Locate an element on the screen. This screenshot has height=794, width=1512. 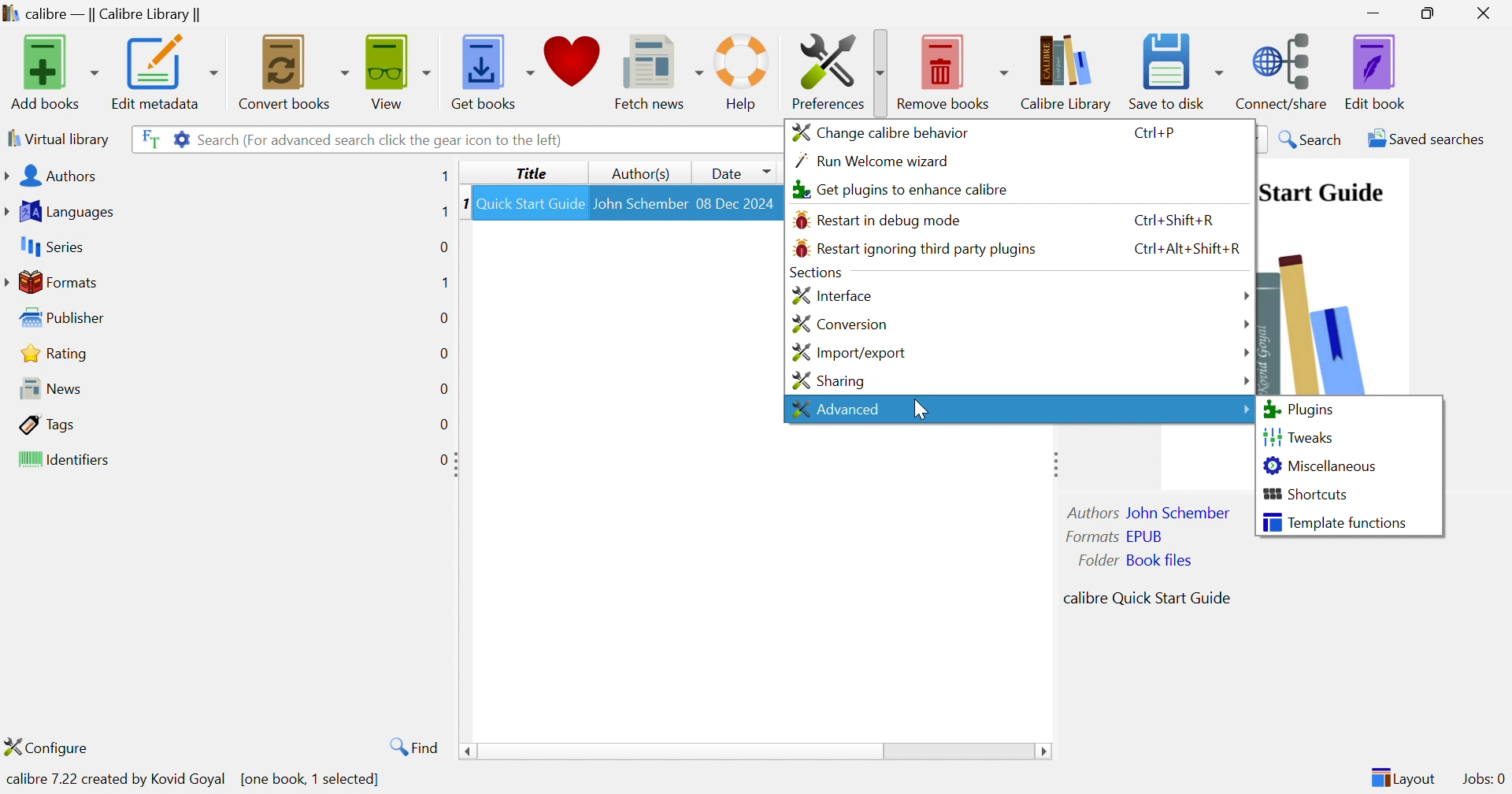
Saved searches is located at coordinates (1425, 139).